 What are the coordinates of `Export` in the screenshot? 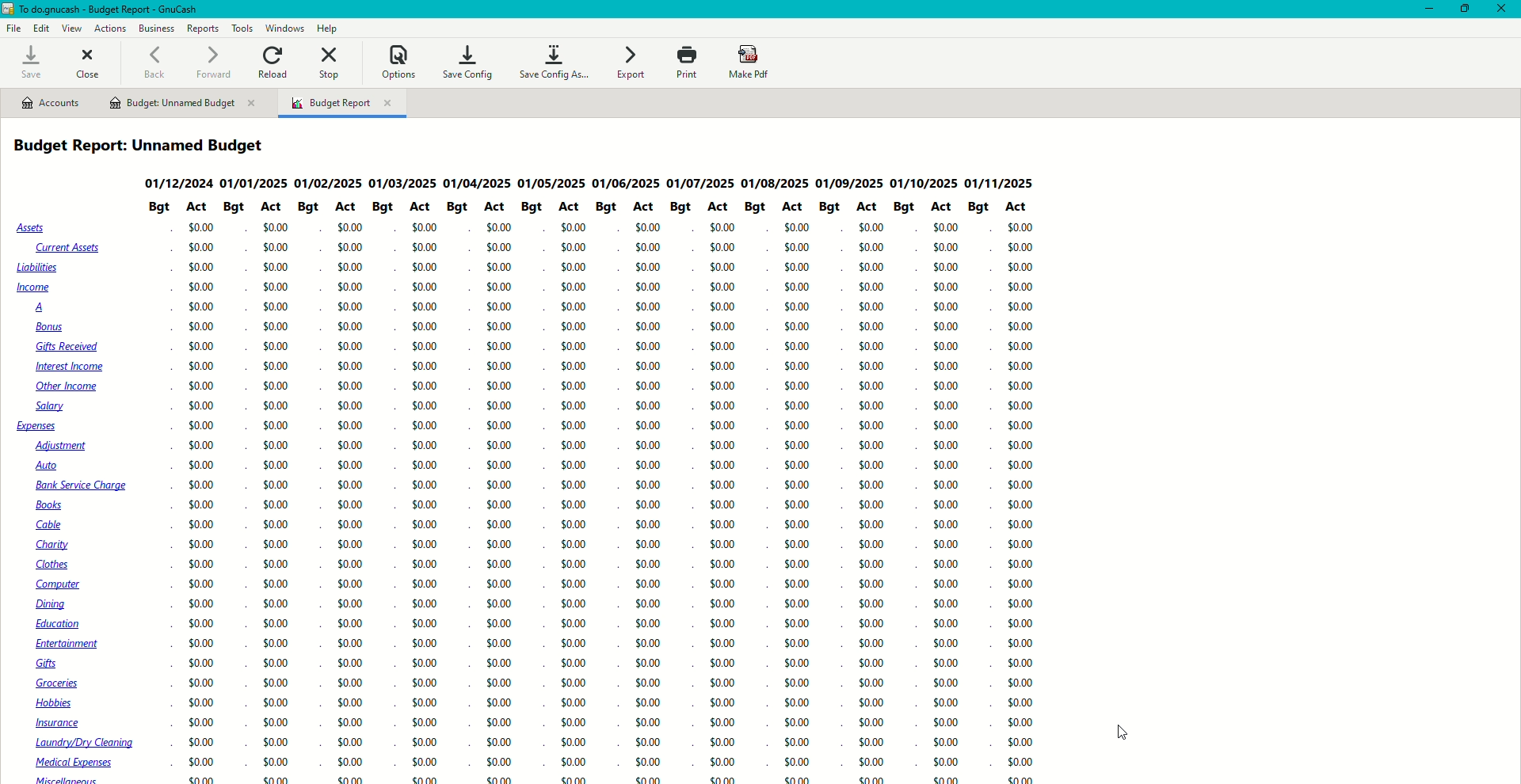 It's located at (630, 63).